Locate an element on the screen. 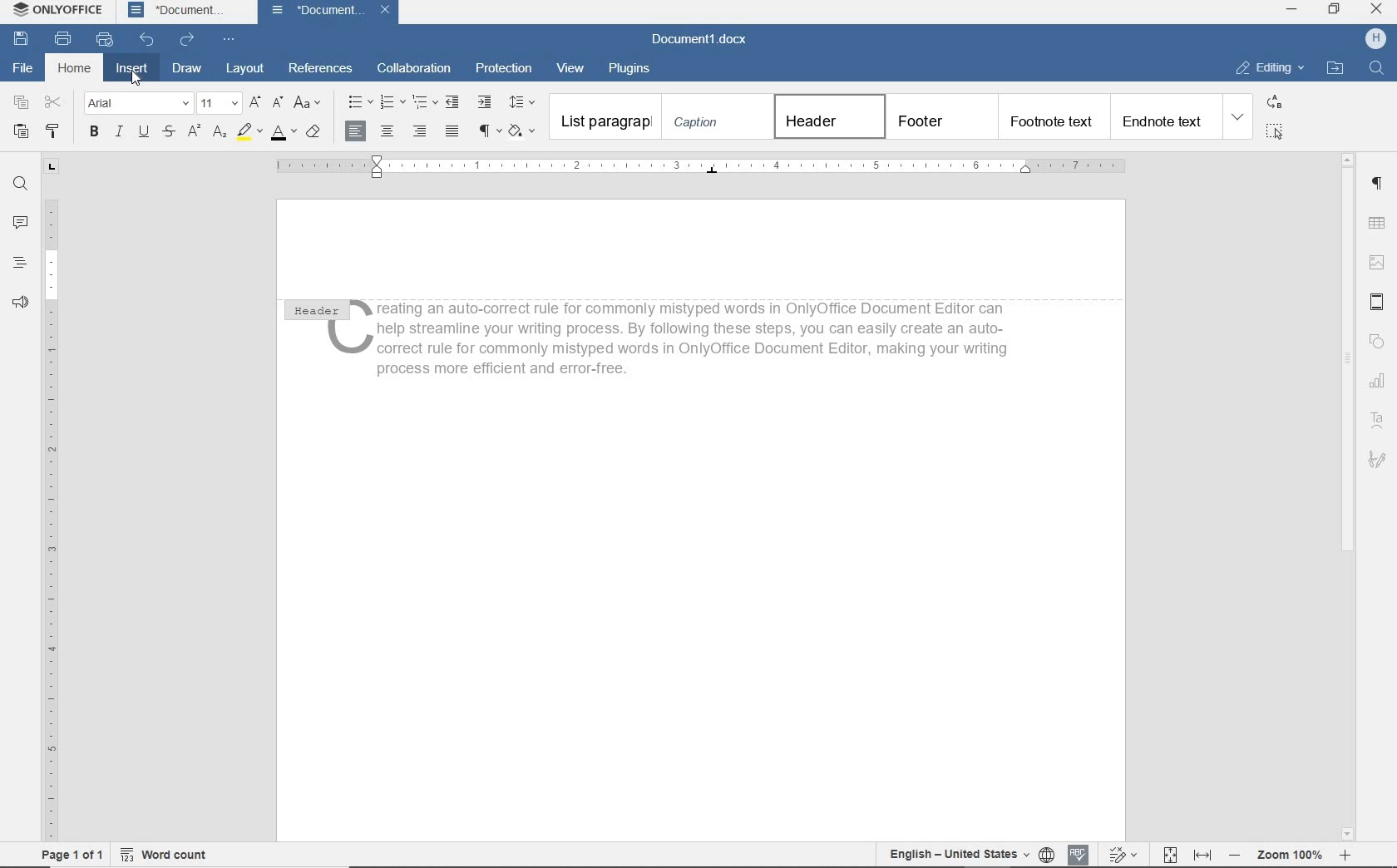 This screenshot has height=868, width=1397. REDO is located at coordinates (188, 40).